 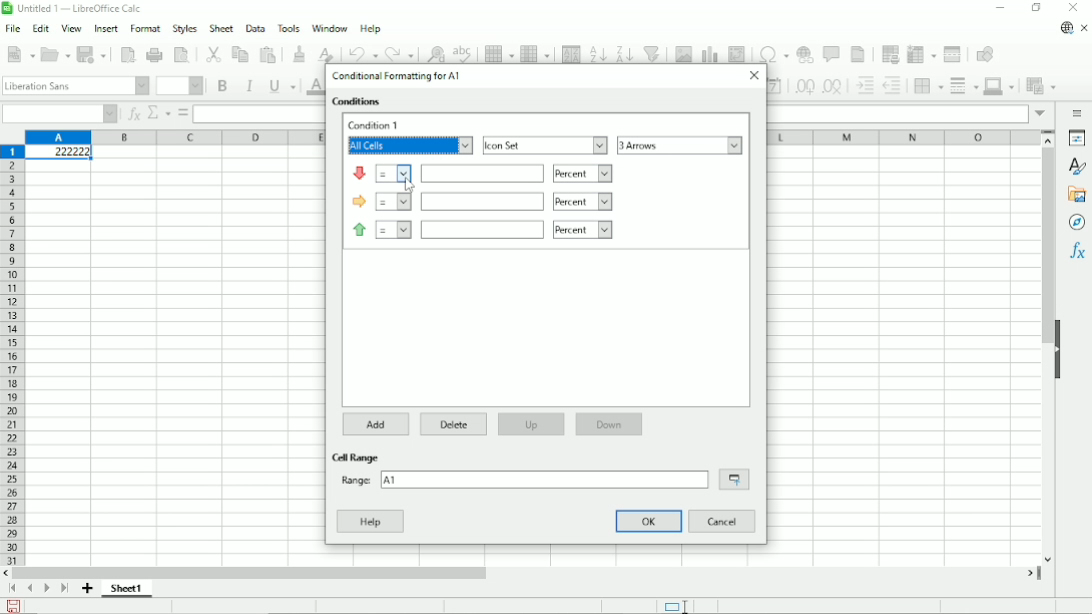 I want to click on Data, so click(x=253, y=27).